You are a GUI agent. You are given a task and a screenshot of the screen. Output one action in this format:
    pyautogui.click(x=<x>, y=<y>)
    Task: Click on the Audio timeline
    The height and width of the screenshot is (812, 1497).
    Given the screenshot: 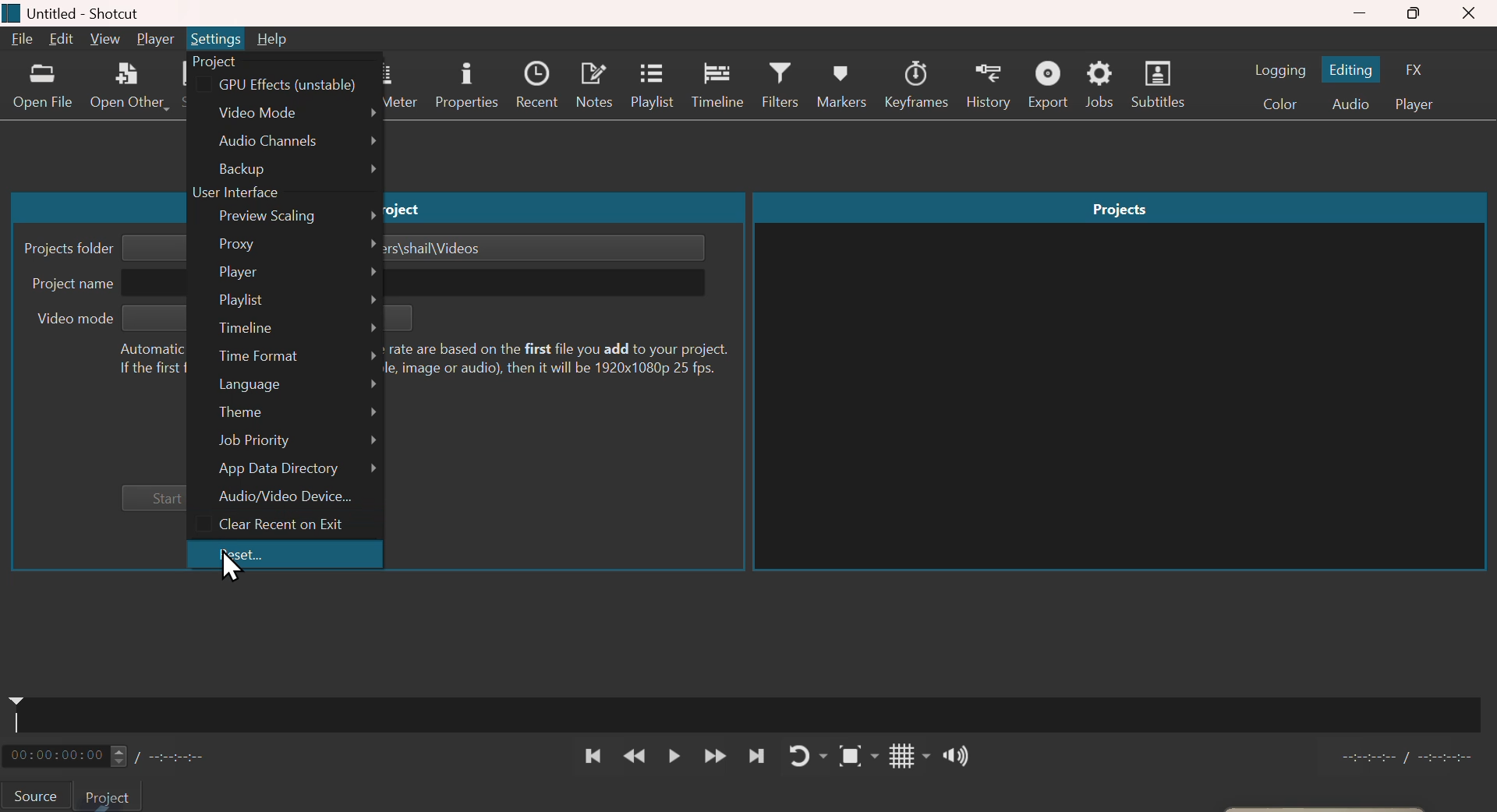 What is the action you would take?
    pyautogui.click(x=752, y=711)
    